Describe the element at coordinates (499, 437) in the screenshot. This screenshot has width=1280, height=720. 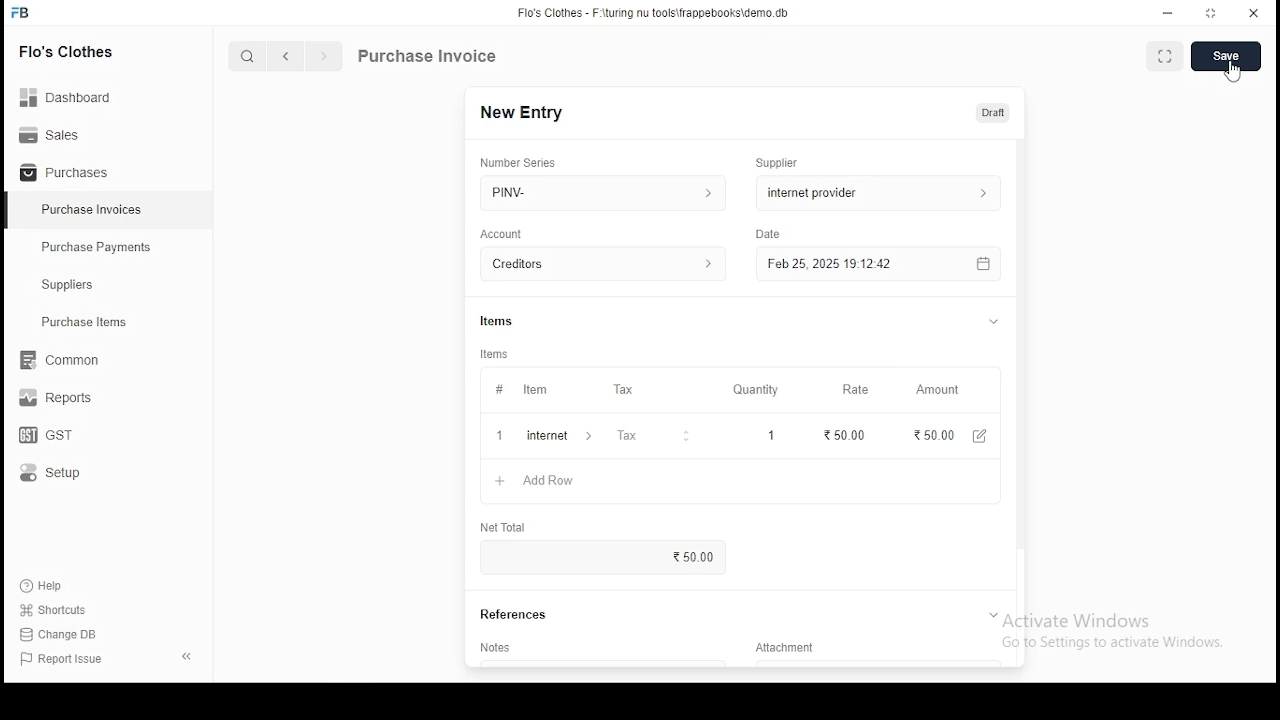
I see `+` at that location.